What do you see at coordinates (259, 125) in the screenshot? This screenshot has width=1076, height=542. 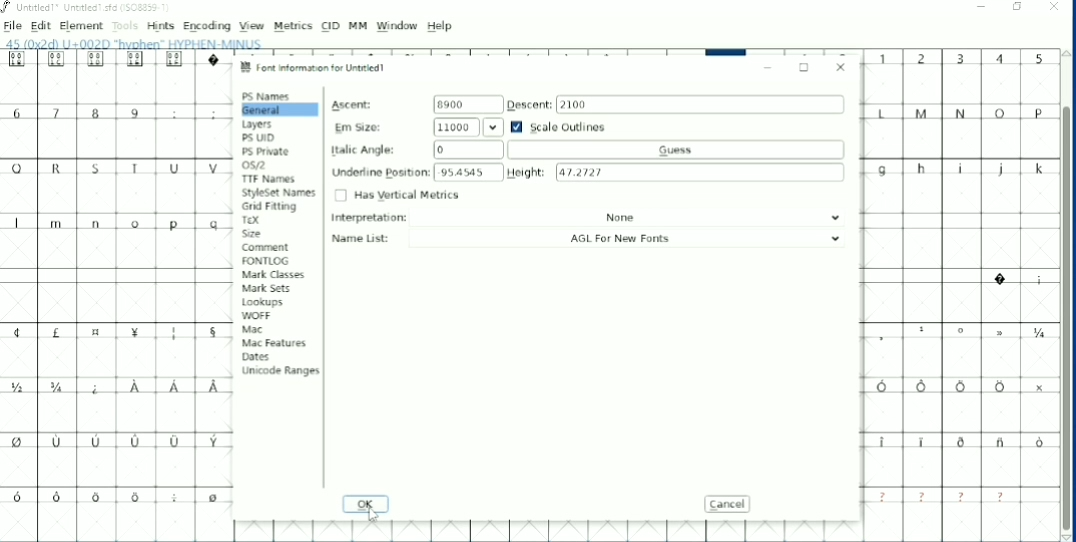 I see `Layers` at bounding box center [259, 125].